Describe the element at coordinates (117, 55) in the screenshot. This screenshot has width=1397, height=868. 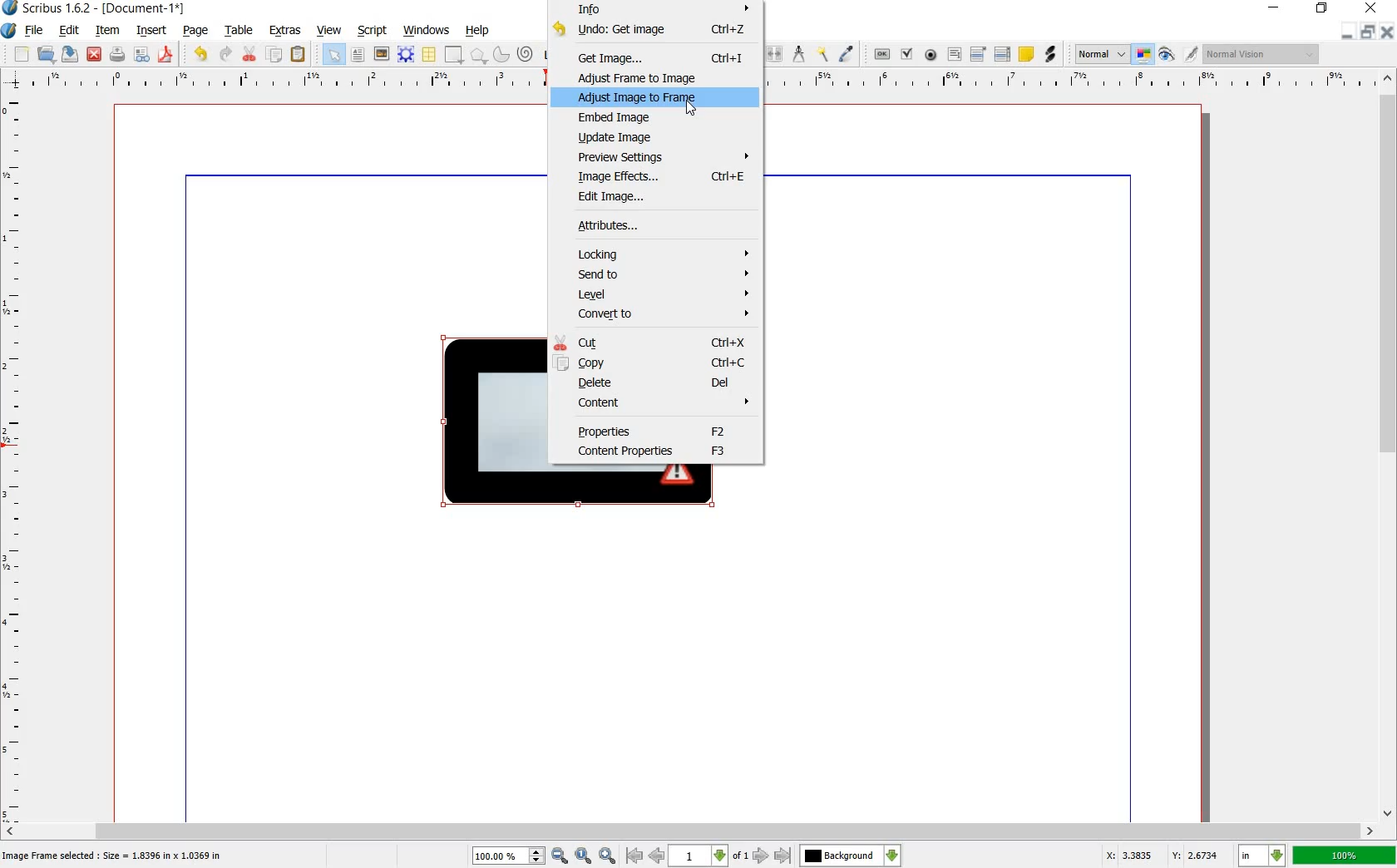
I see `print` at that location.